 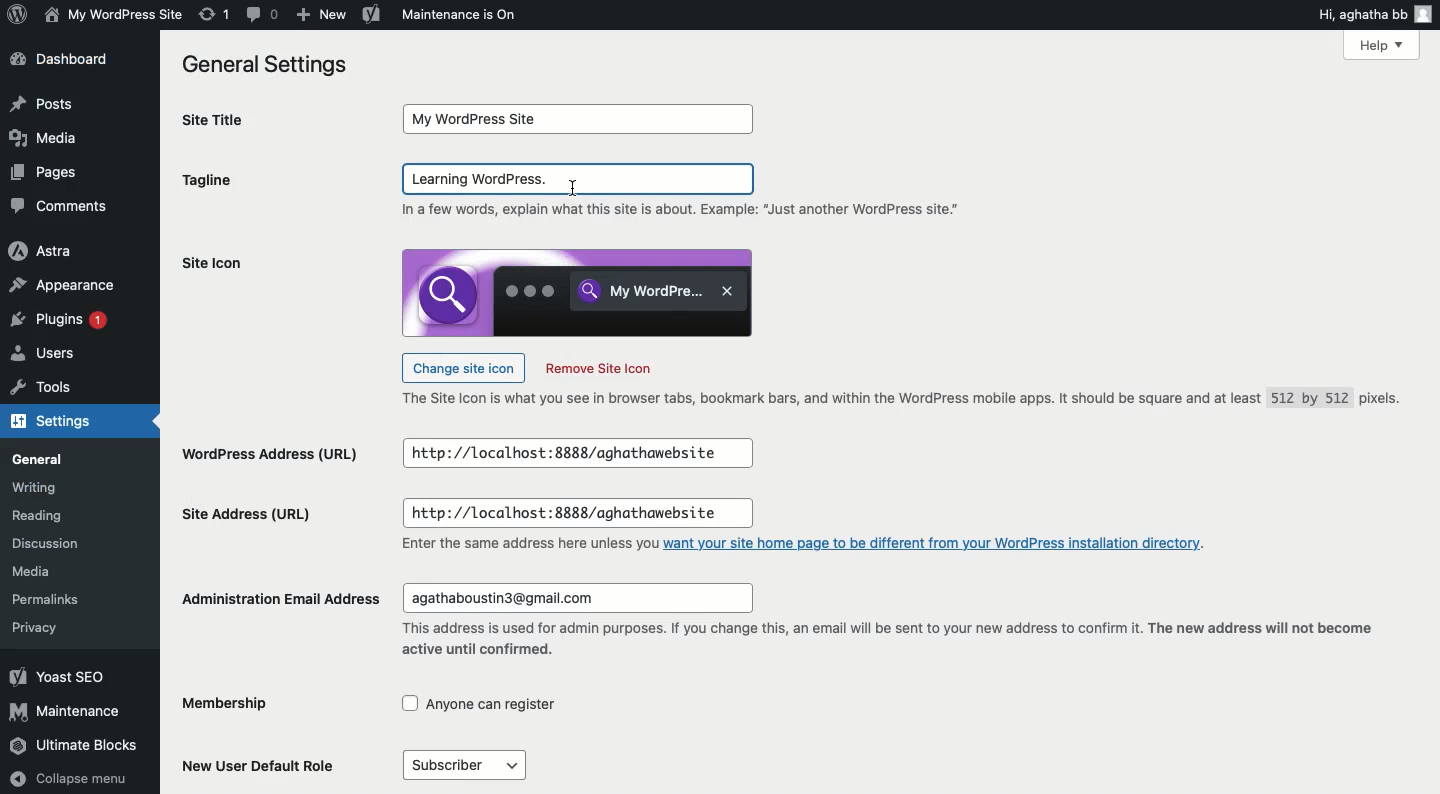 I want to click on Help, so click(x=1381, y=44).